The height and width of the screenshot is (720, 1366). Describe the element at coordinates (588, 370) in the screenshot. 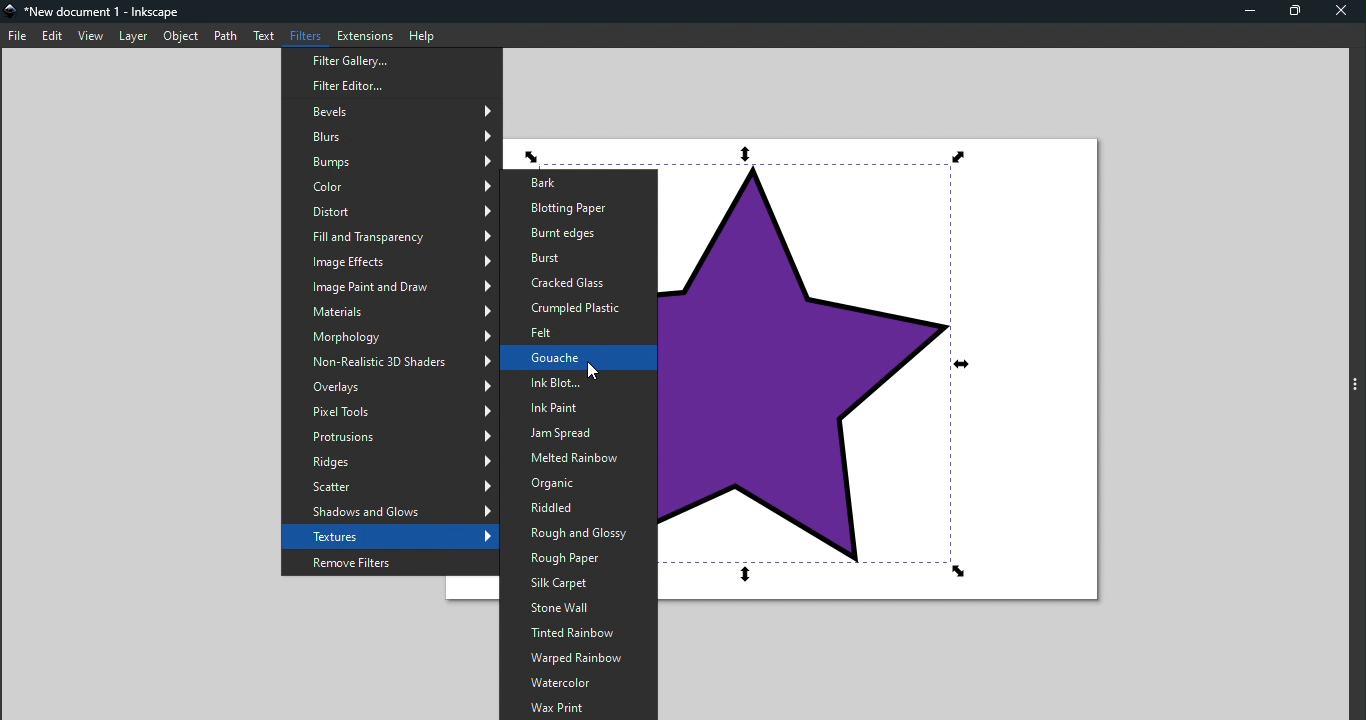

I see `cursor` at that location.